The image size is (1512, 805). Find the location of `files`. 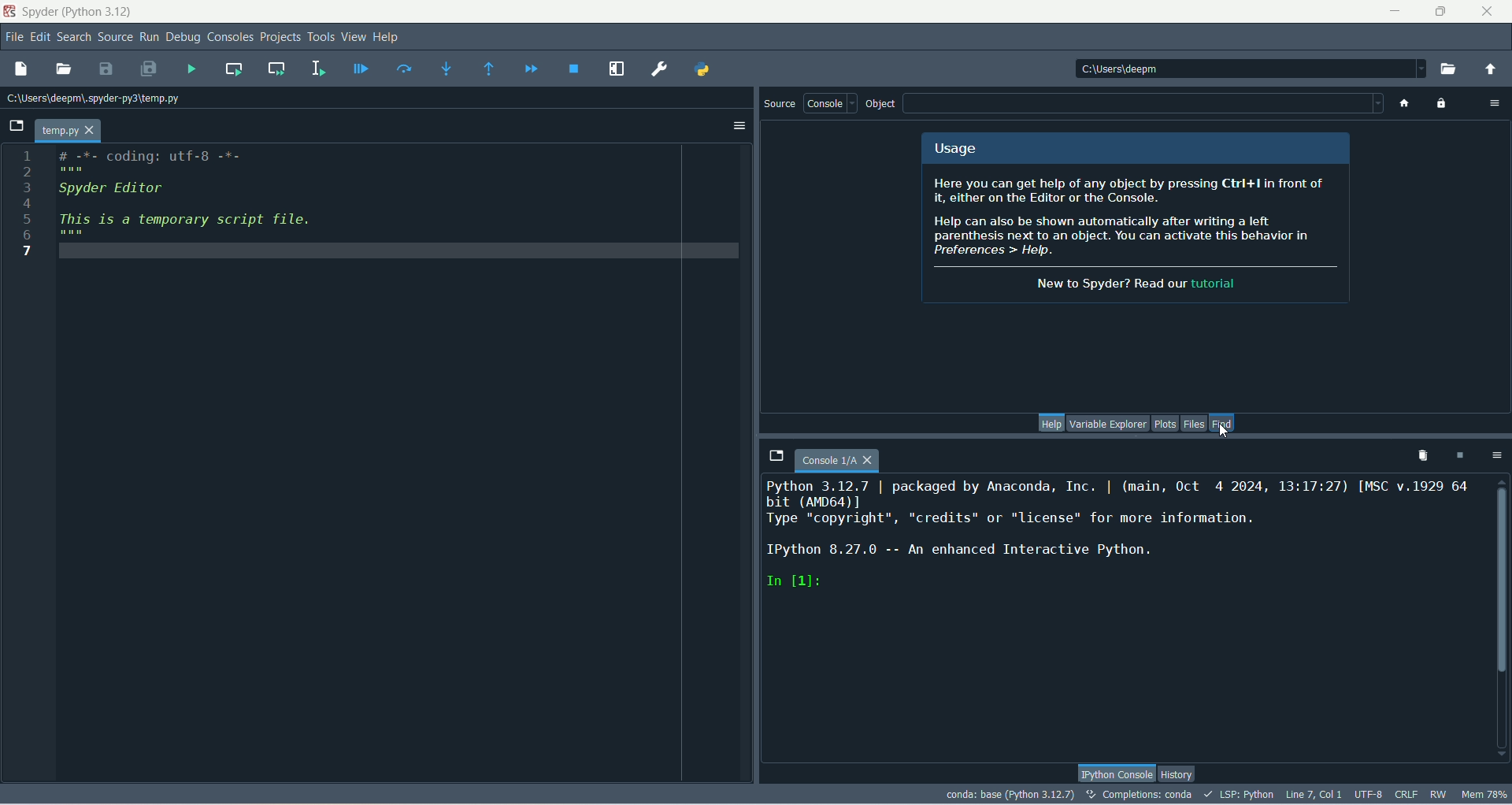

files is located at coordinates (1195, 423).